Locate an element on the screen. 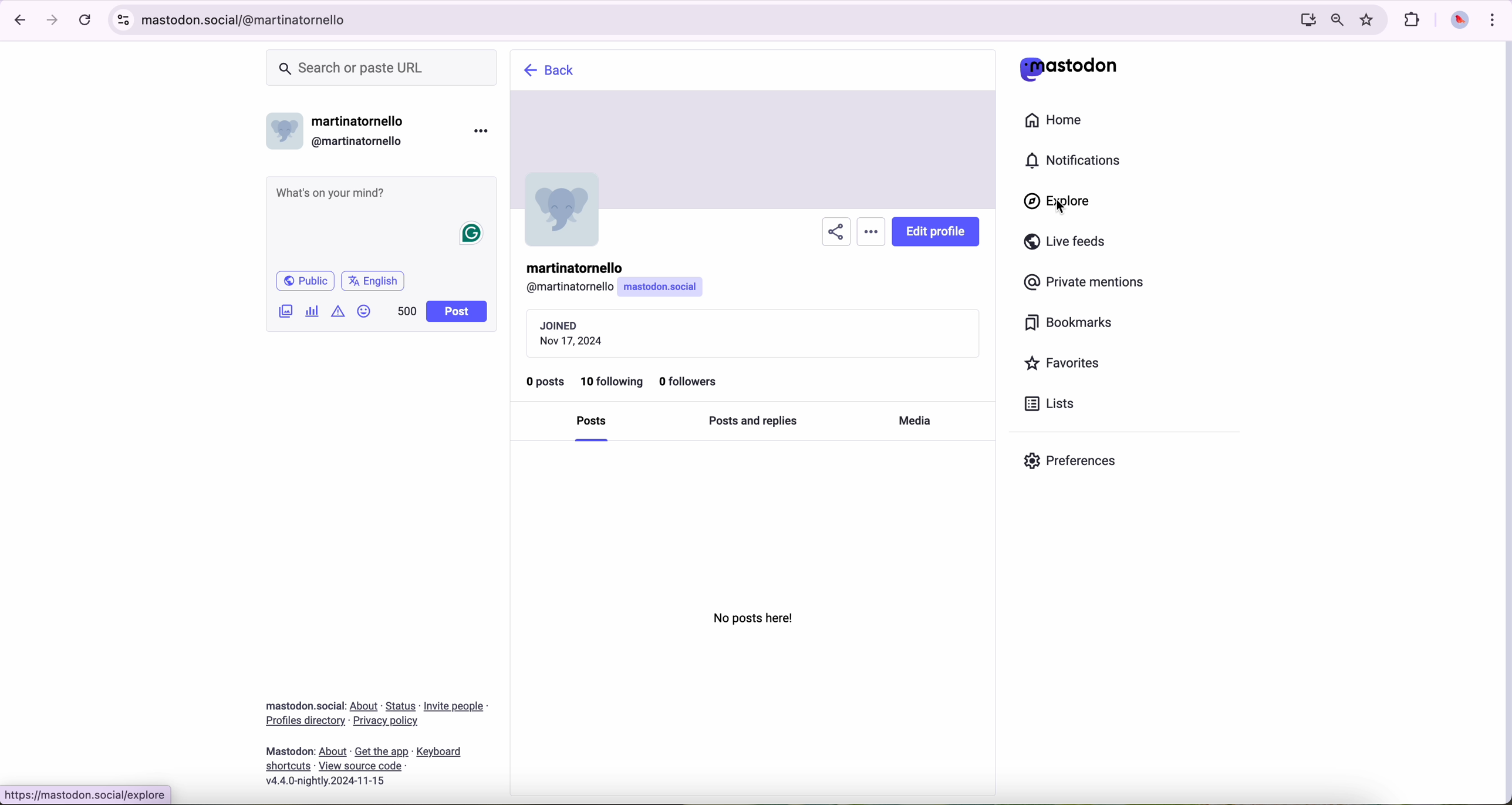 The width and height of the screenshot is (1512, 805). posts and replies is located at coordinates (758, 420).